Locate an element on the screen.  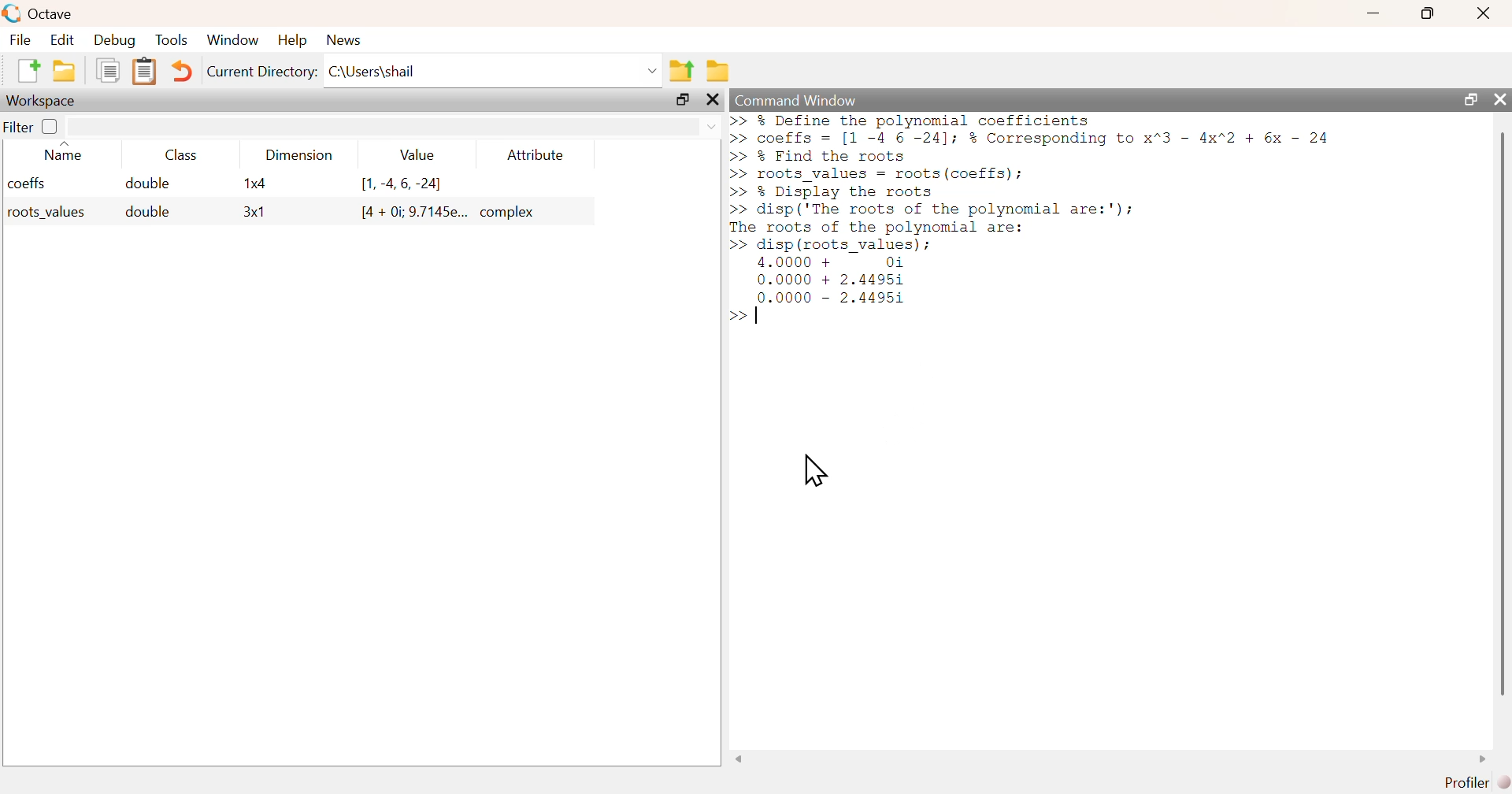
Window is located at coordinates (233, 39).